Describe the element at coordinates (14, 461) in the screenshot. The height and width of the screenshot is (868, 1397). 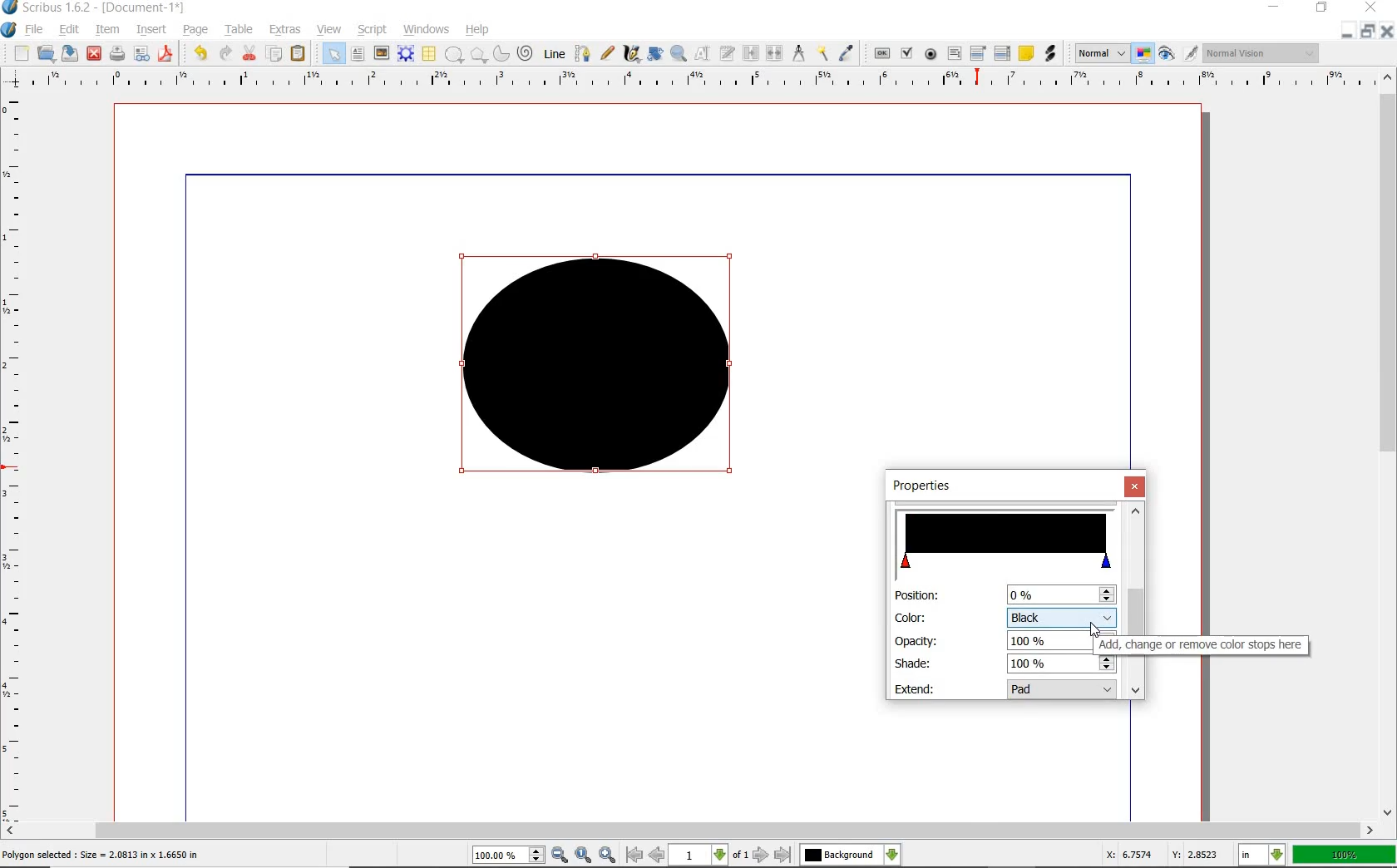
I see `RULER` at that location.